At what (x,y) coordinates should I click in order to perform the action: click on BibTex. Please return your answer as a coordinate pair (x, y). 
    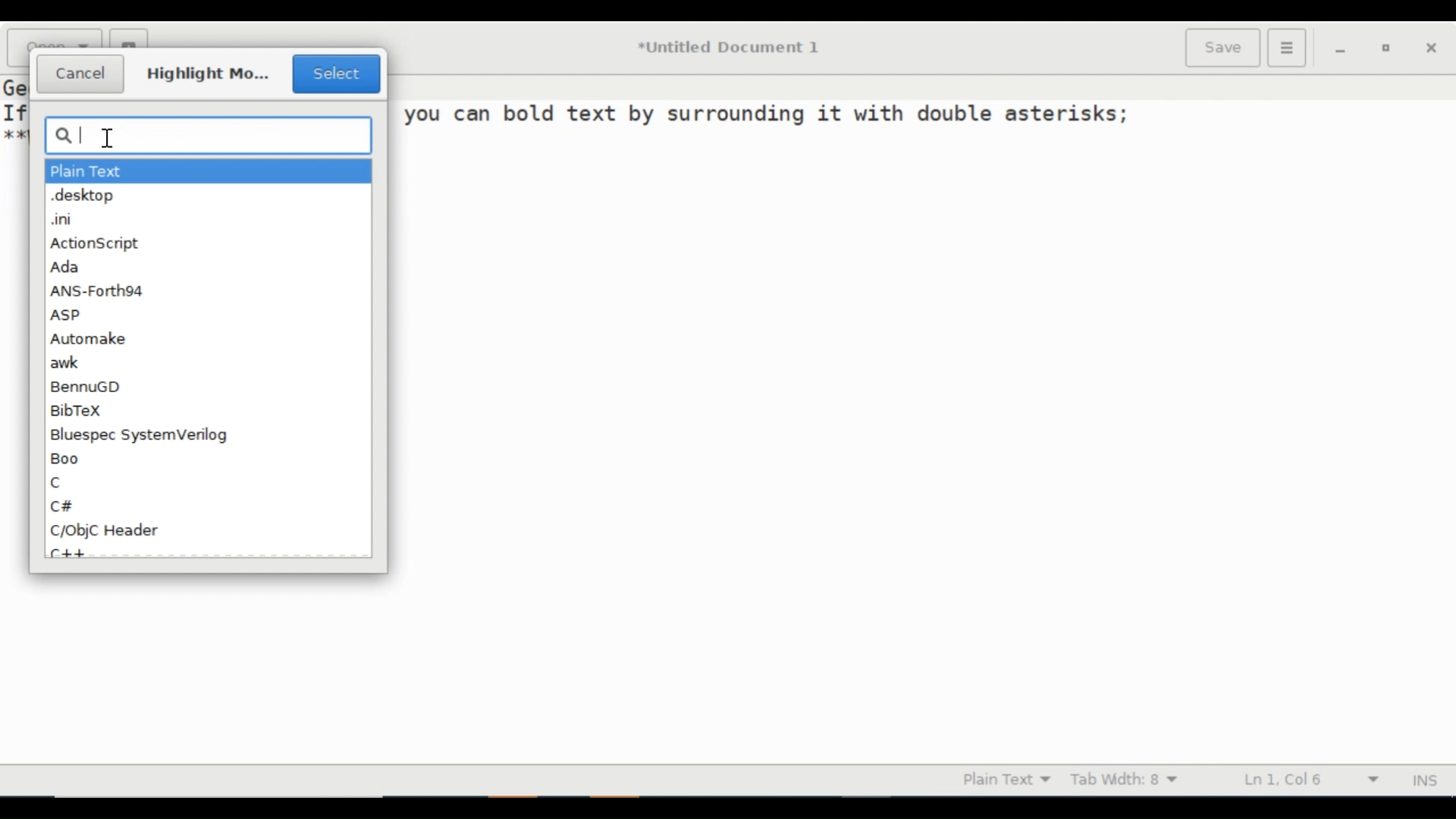
    Looking at the image, I should click on (80, 409).